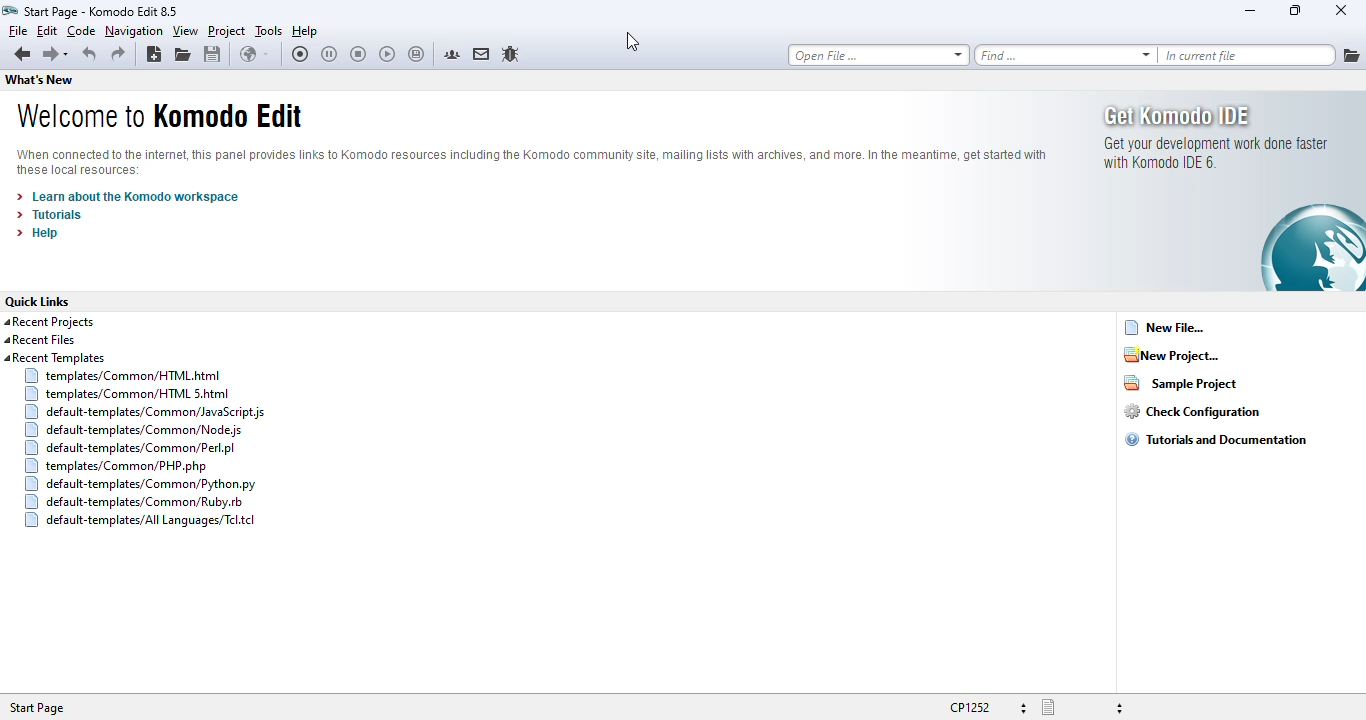 This screenshot has height=720, width=1366. Describe the element at coordinates (135, 440) in the screenshot. I see `recent templates` at that location.